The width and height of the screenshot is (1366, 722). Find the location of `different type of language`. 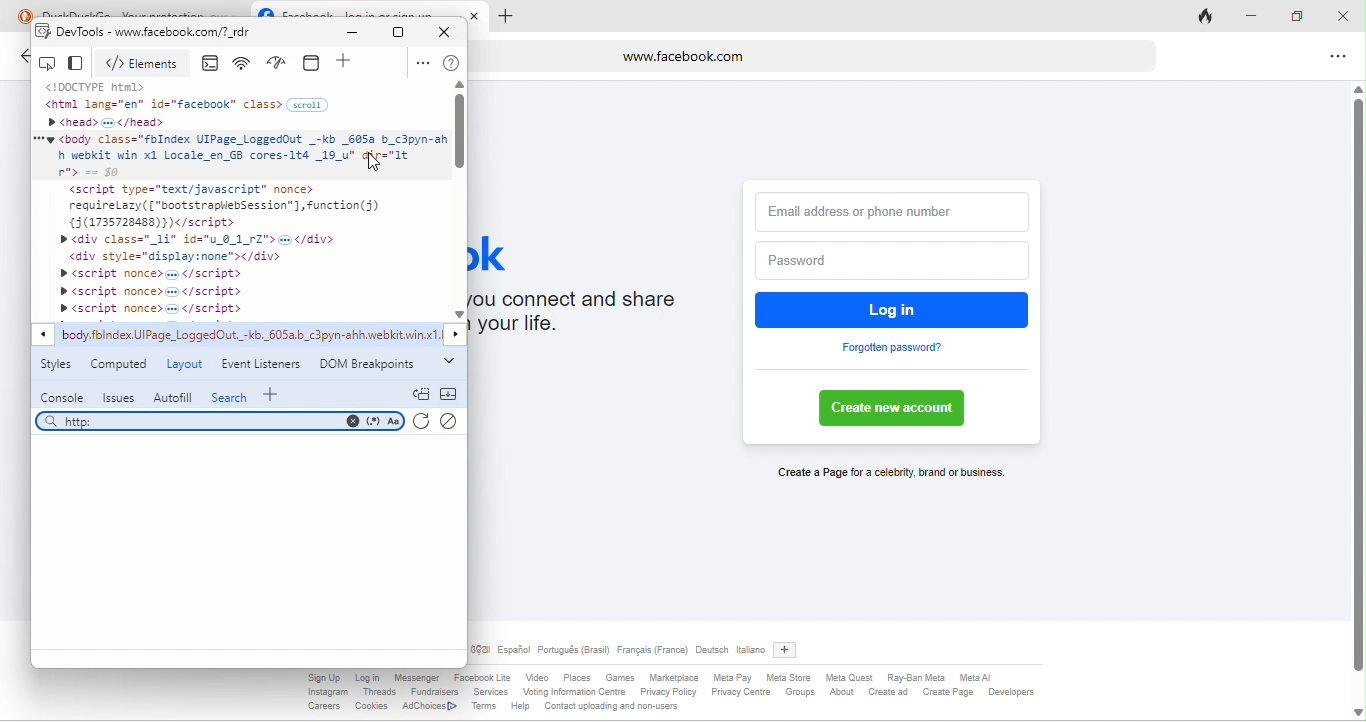

different type of language is located at coordinates (618, 652).